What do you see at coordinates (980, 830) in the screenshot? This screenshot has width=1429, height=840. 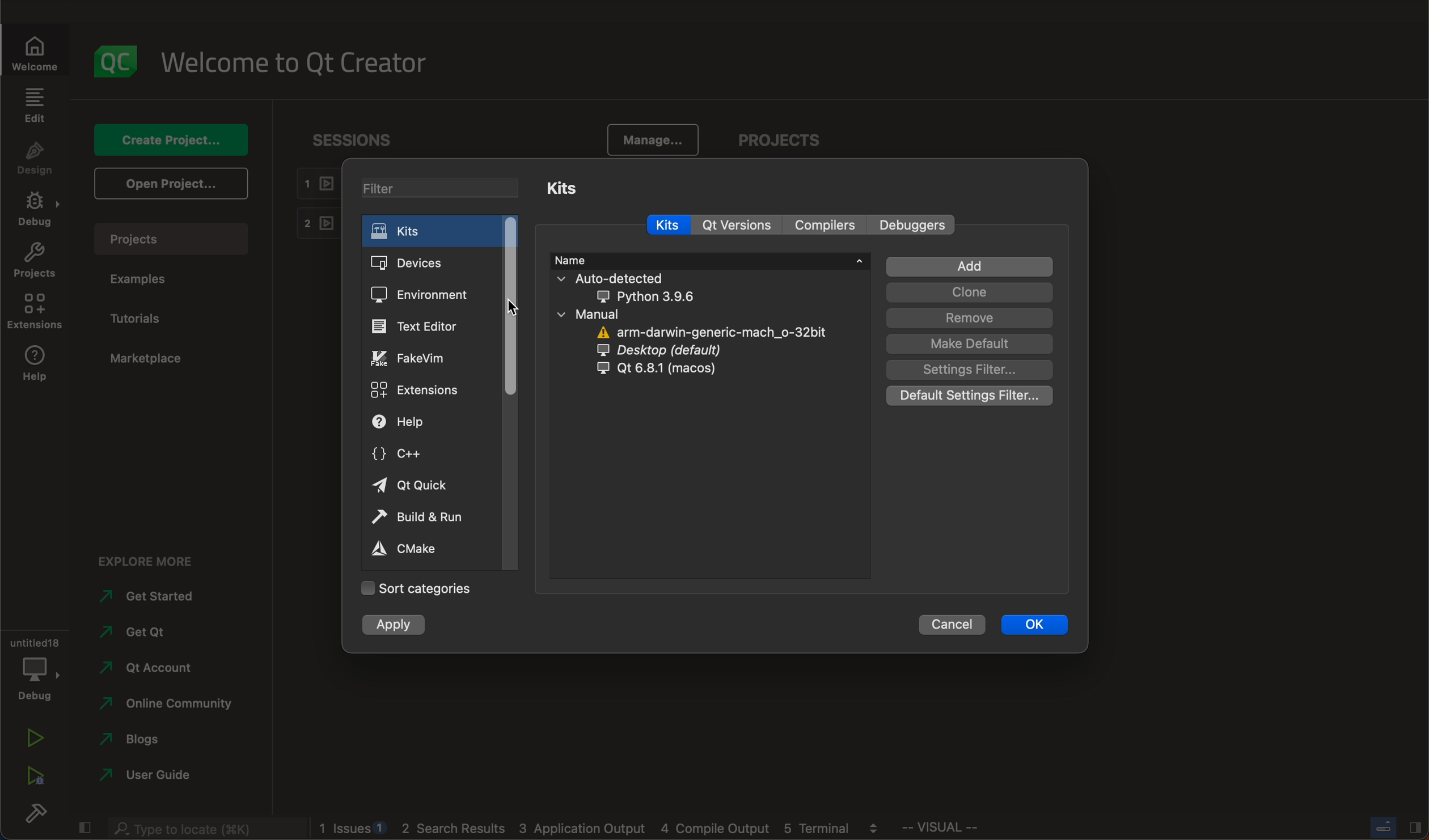 I see `visual` at bounding box center [980, 830].